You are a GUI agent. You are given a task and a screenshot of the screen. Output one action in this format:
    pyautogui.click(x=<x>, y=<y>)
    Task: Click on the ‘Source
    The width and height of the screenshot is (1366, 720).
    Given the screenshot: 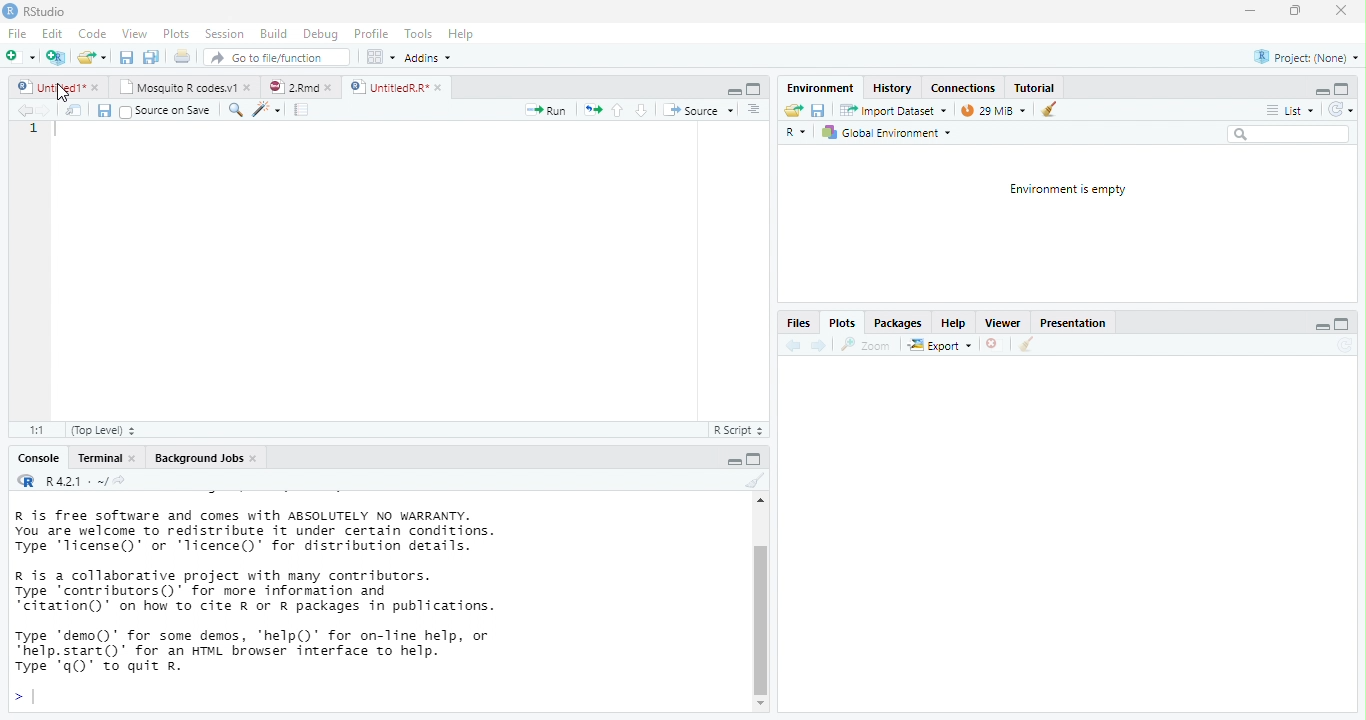 What is the action you would take?
    pyautogui.click(x=700, y=110)
    